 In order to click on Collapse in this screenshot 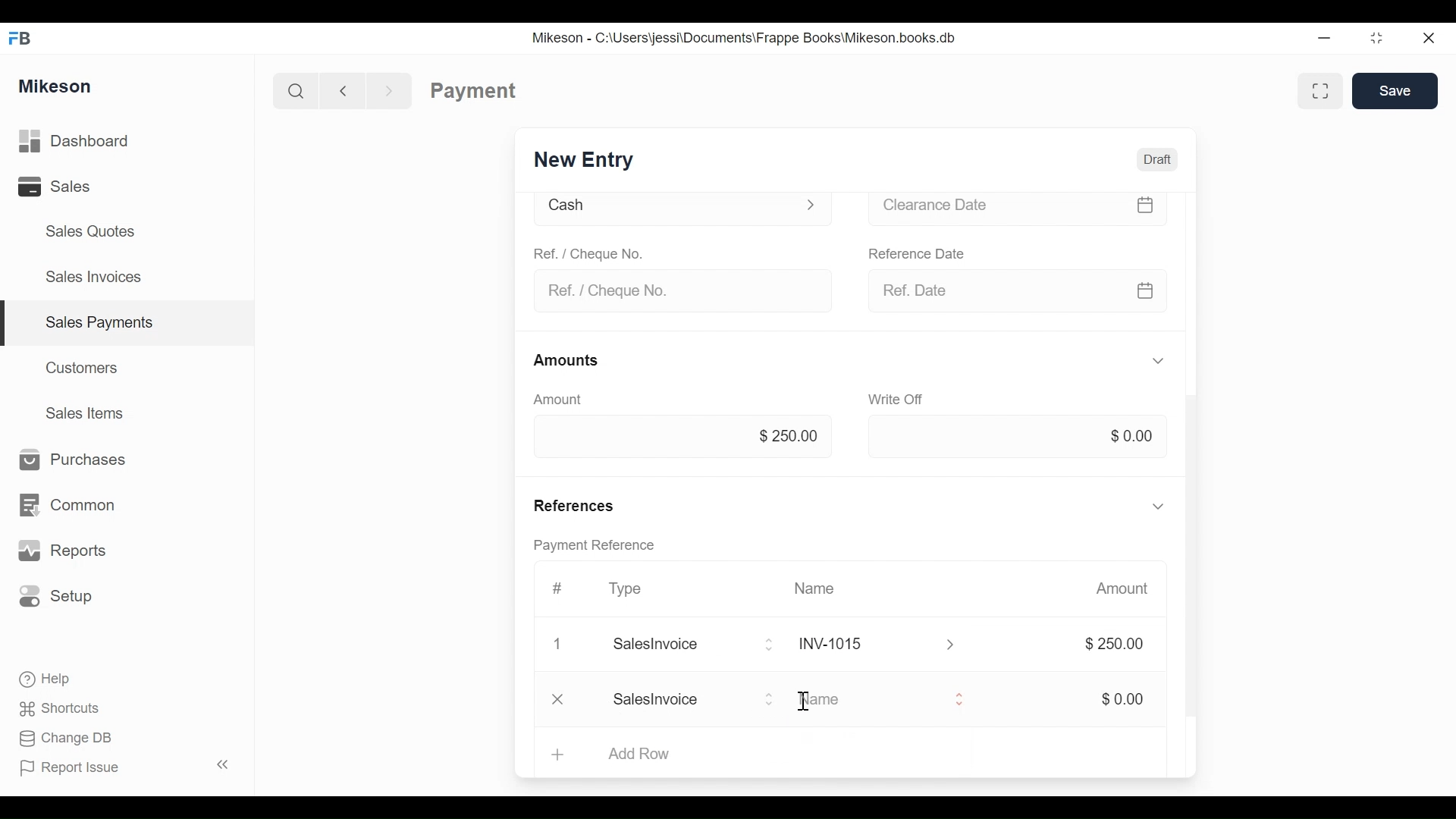, I will do `click(226, 766)`.